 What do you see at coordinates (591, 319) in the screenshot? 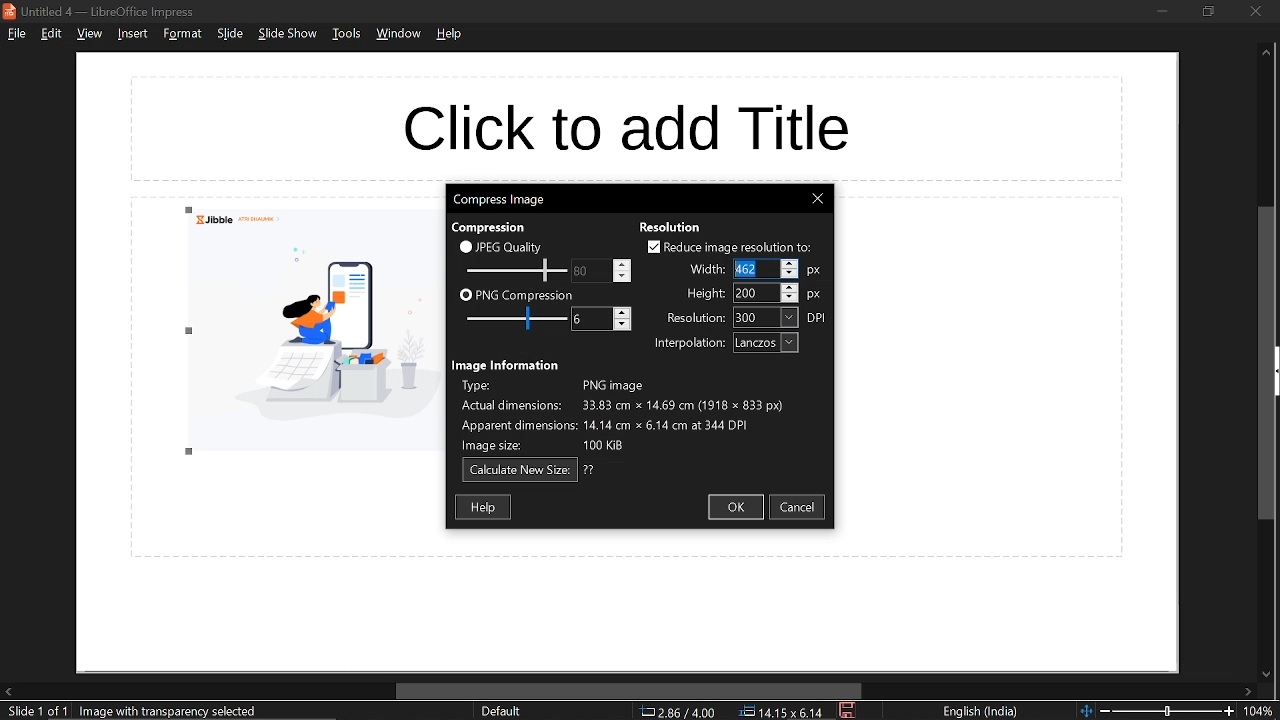
I see `Change PNG compression` at bounding box center [591, 319].